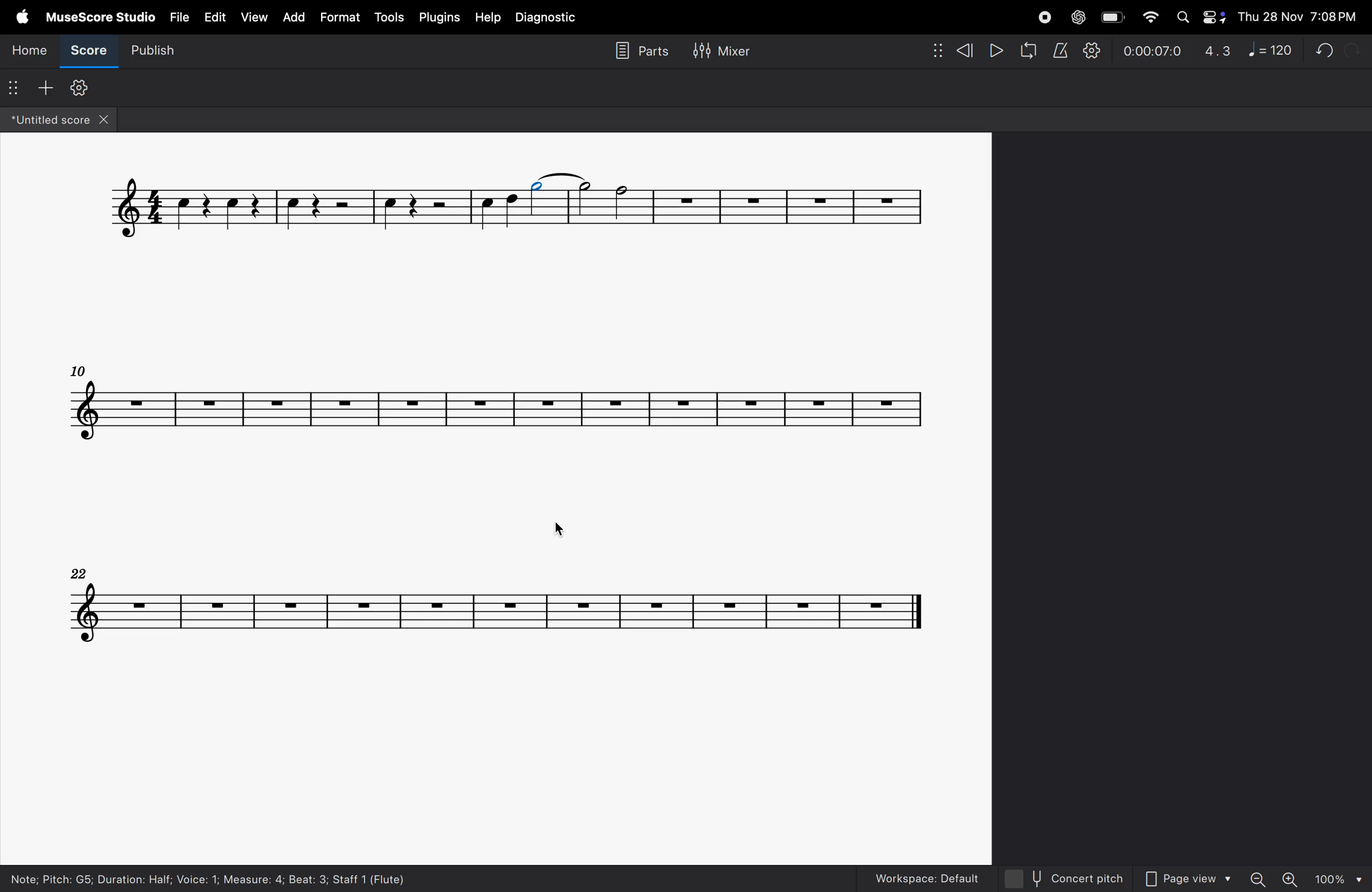 The height and width of the screenshot is (892, 1372). I want to click on splitted note, so click(561, 177).